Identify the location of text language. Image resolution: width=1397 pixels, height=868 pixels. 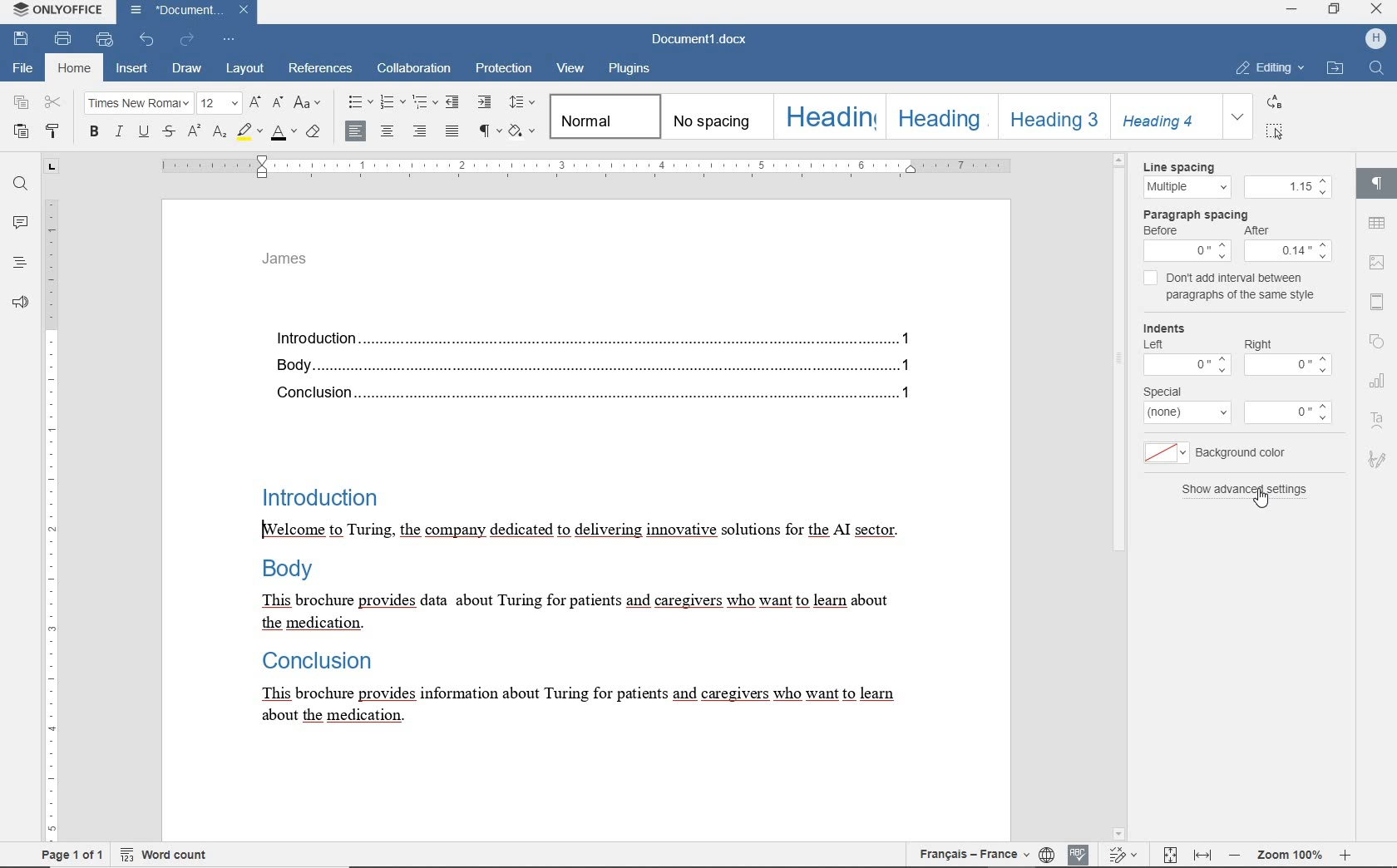
(970, 856).